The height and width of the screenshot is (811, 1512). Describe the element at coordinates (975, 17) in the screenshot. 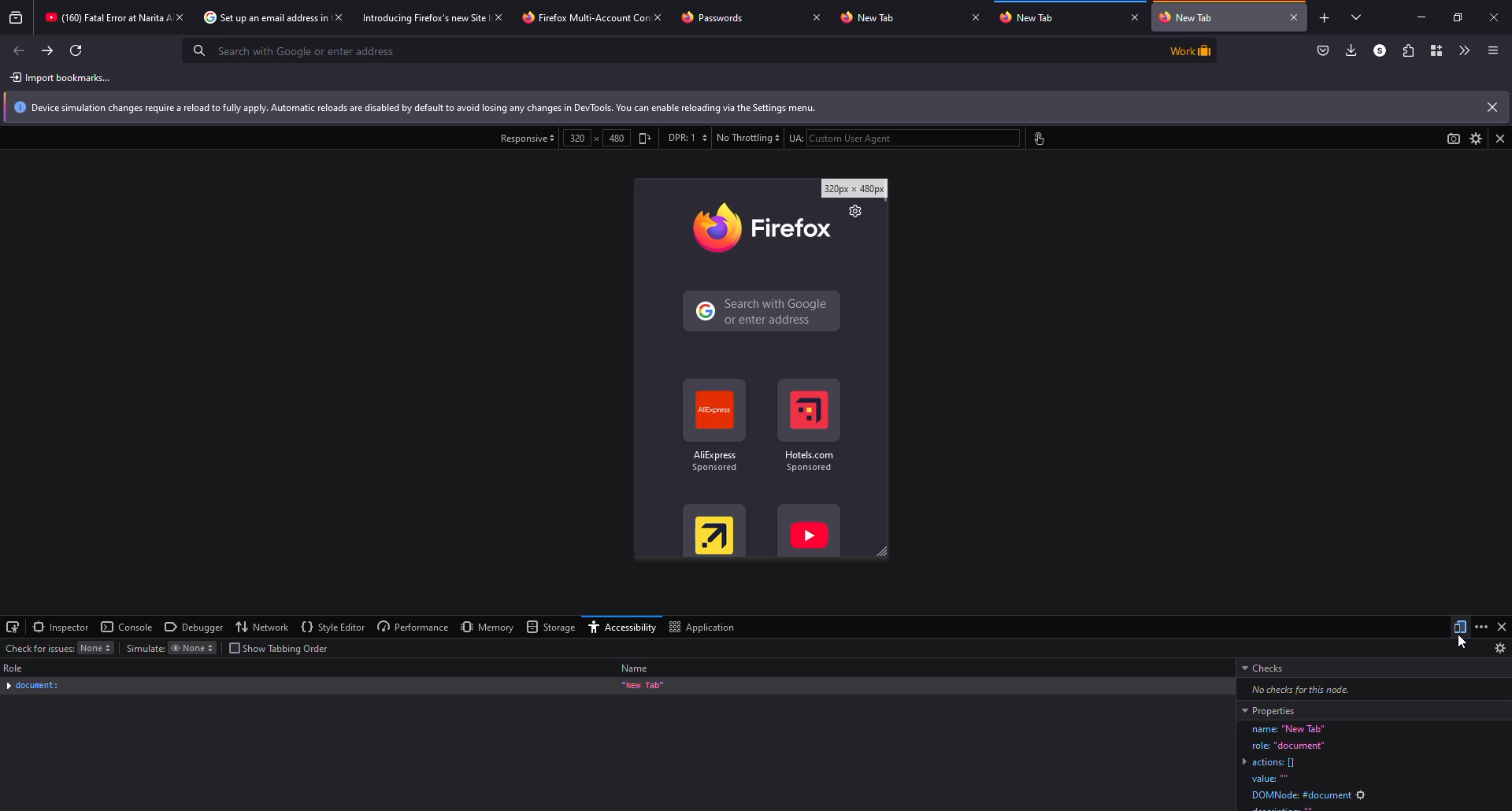

I see `close` at that location.